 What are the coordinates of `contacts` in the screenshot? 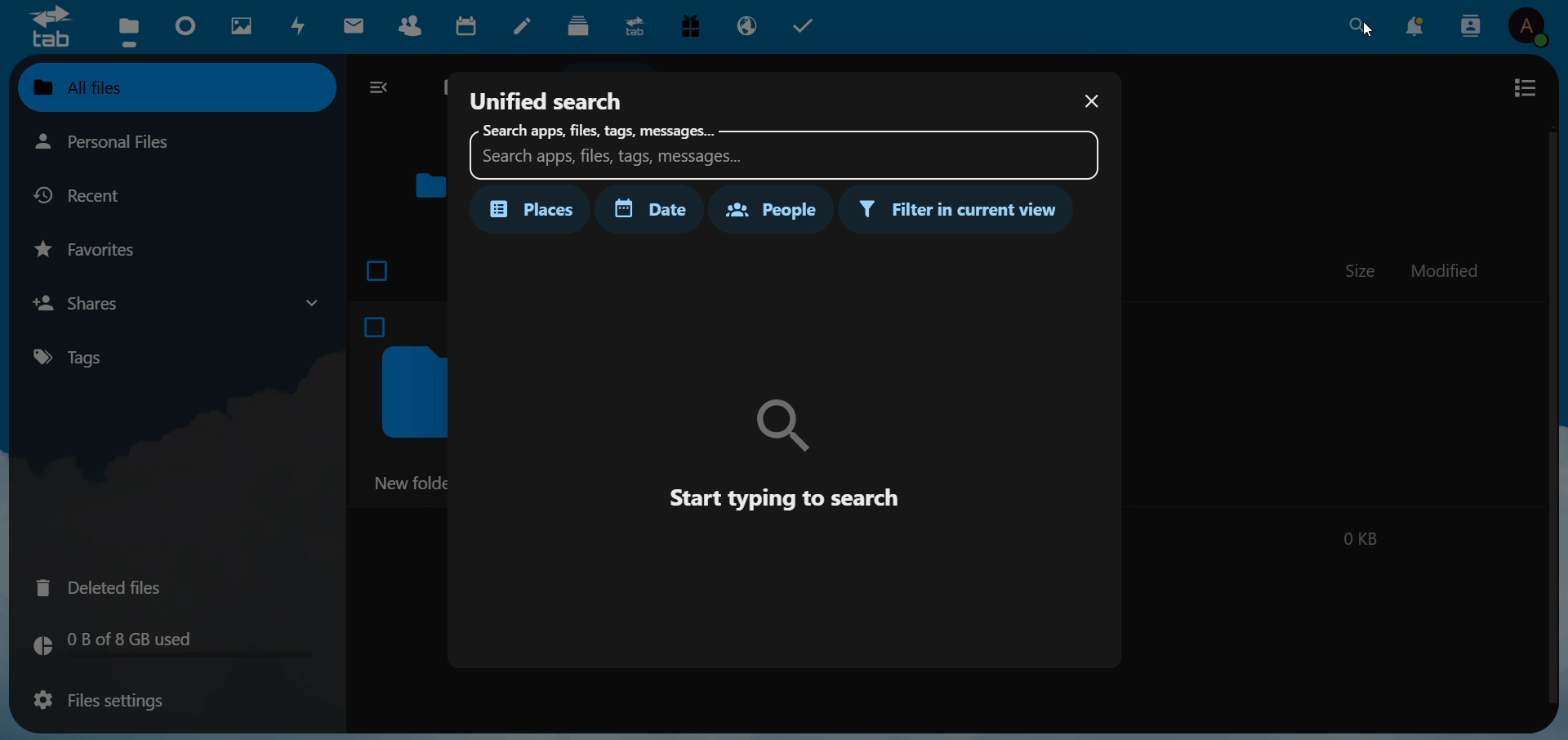 It's located at (415, 29).